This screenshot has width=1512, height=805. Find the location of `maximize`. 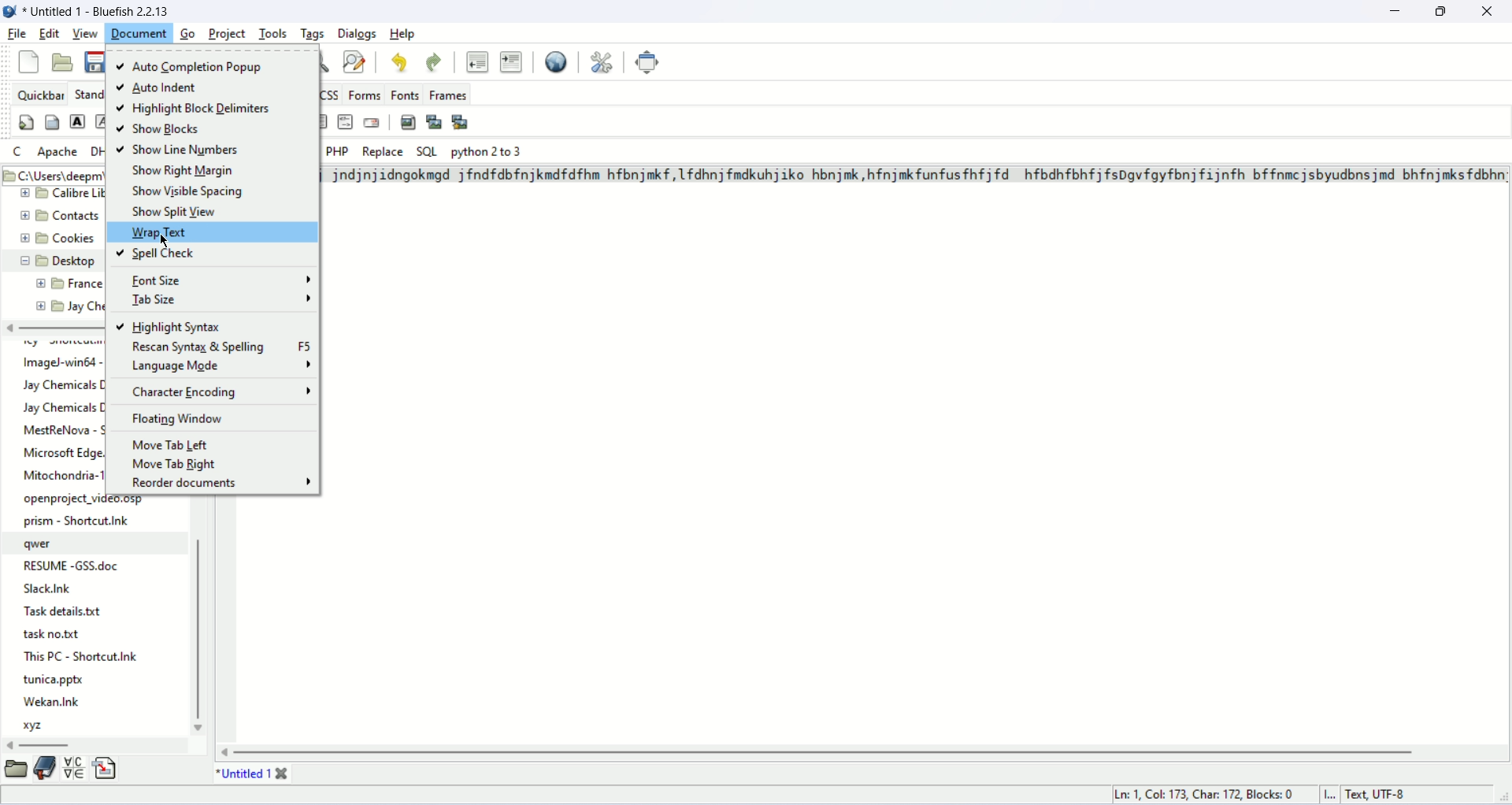

maximize is located at coordinates (1444, 10).